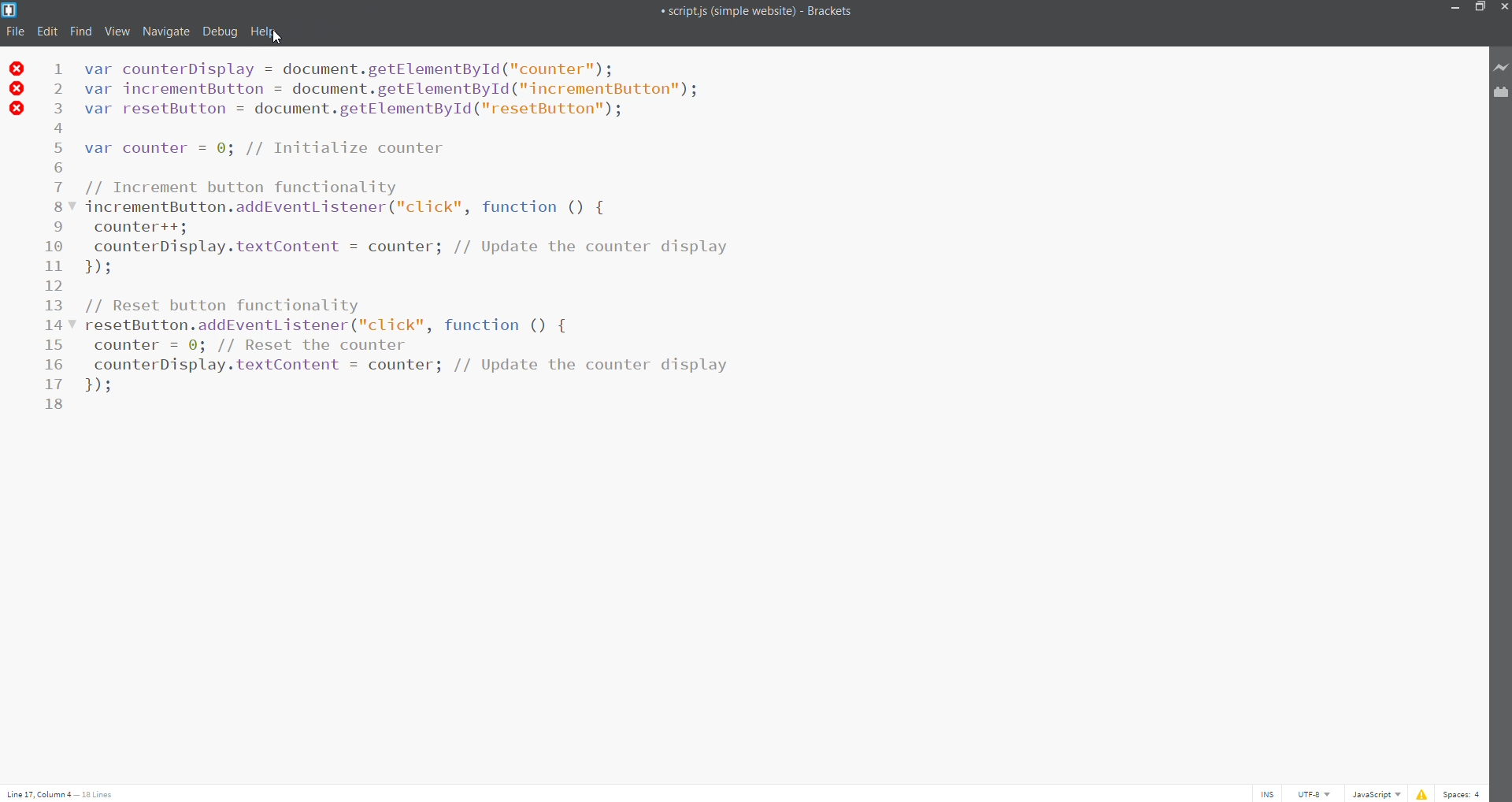  I want to click on text editor having code to display and interact with a counter on a webpage, so click(769, 332).